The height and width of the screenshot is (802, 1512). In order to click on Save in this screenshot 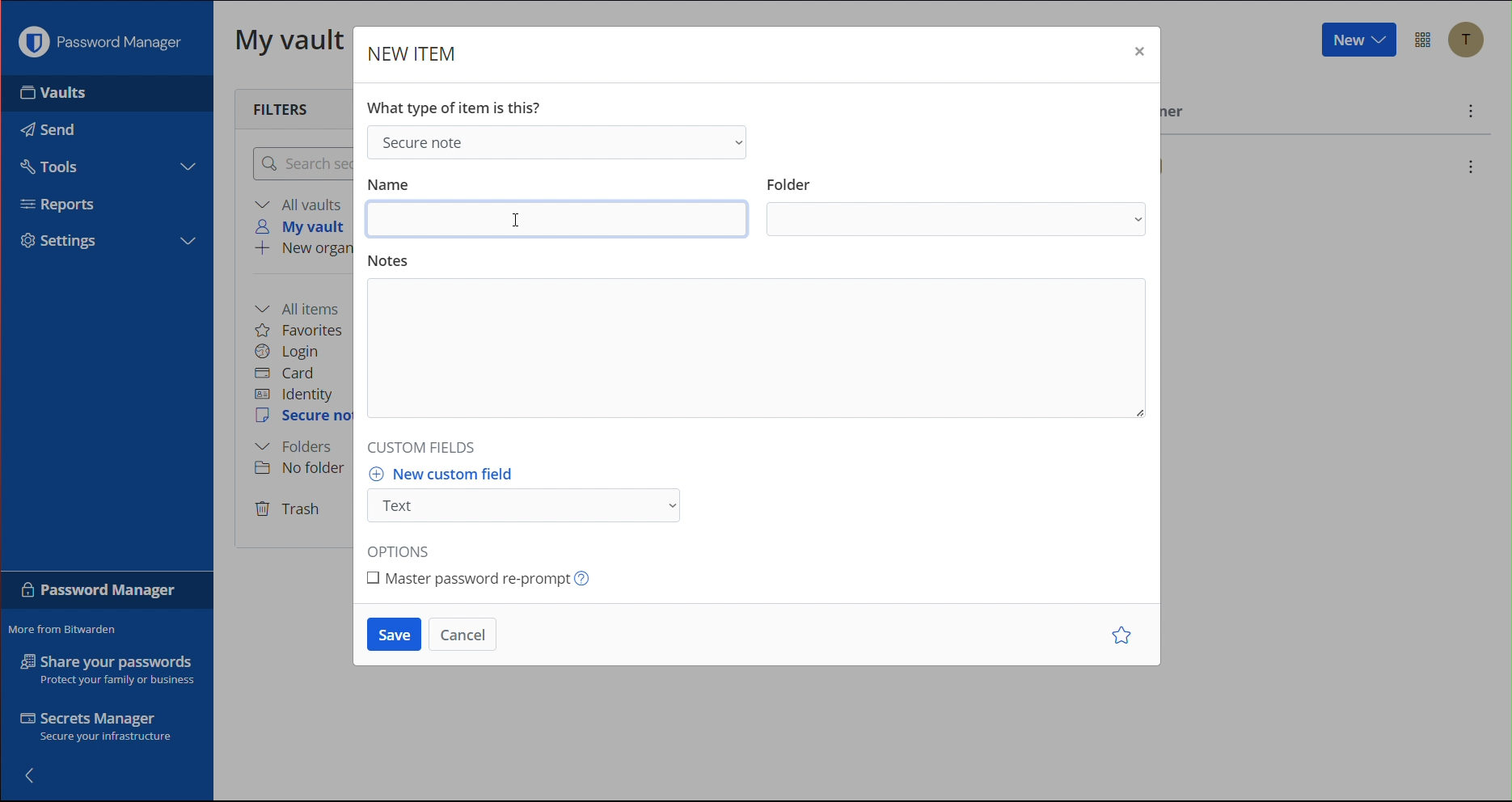, I will do `click(394, 635)`.